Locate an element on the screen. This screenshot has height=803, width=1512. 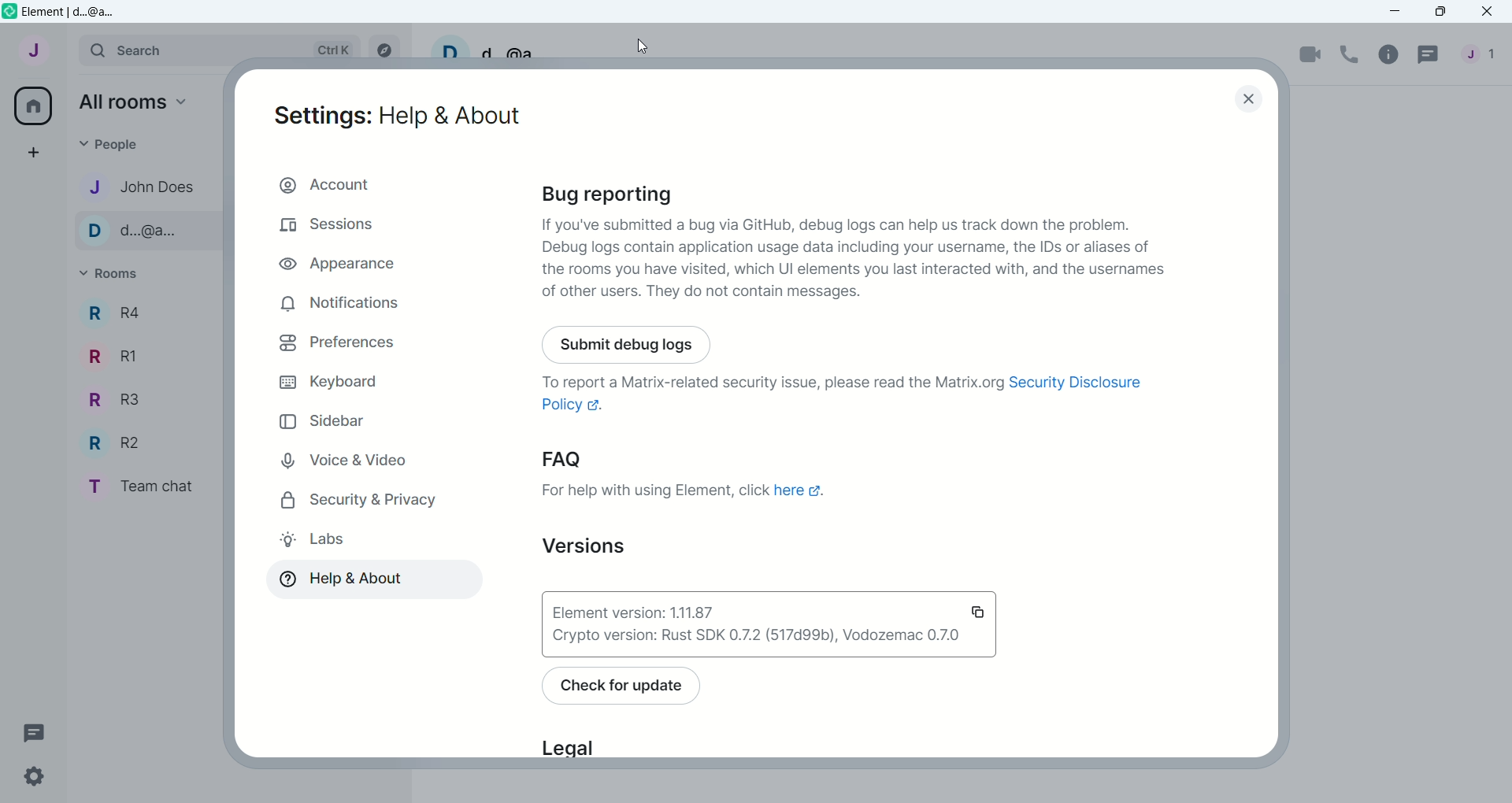
People is located at coordinates (138, 142).